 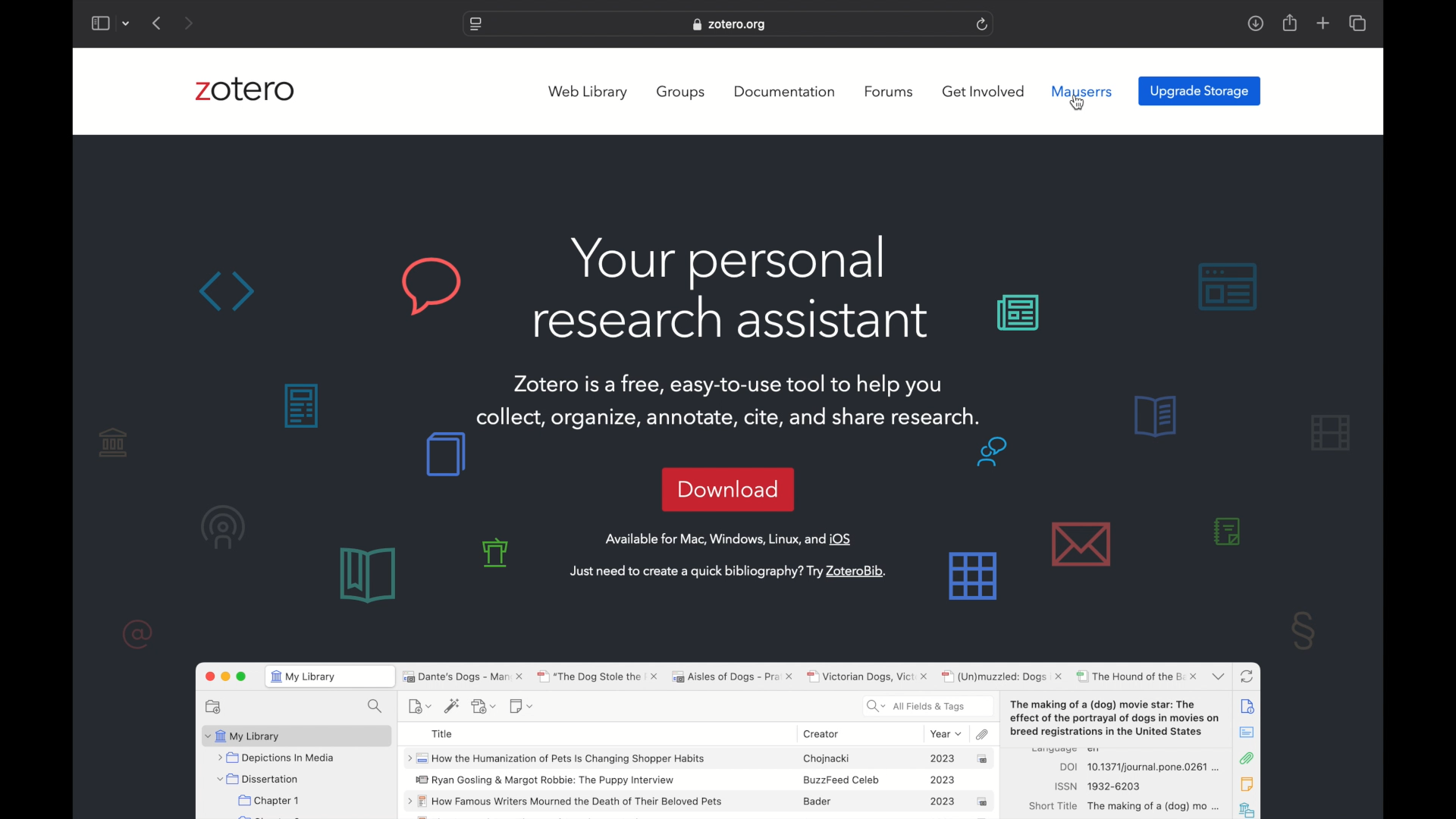 What do you see at coordinates (1207, 478) in the screenshot?
I see `background graphics` at bounding box center [1207, 478].